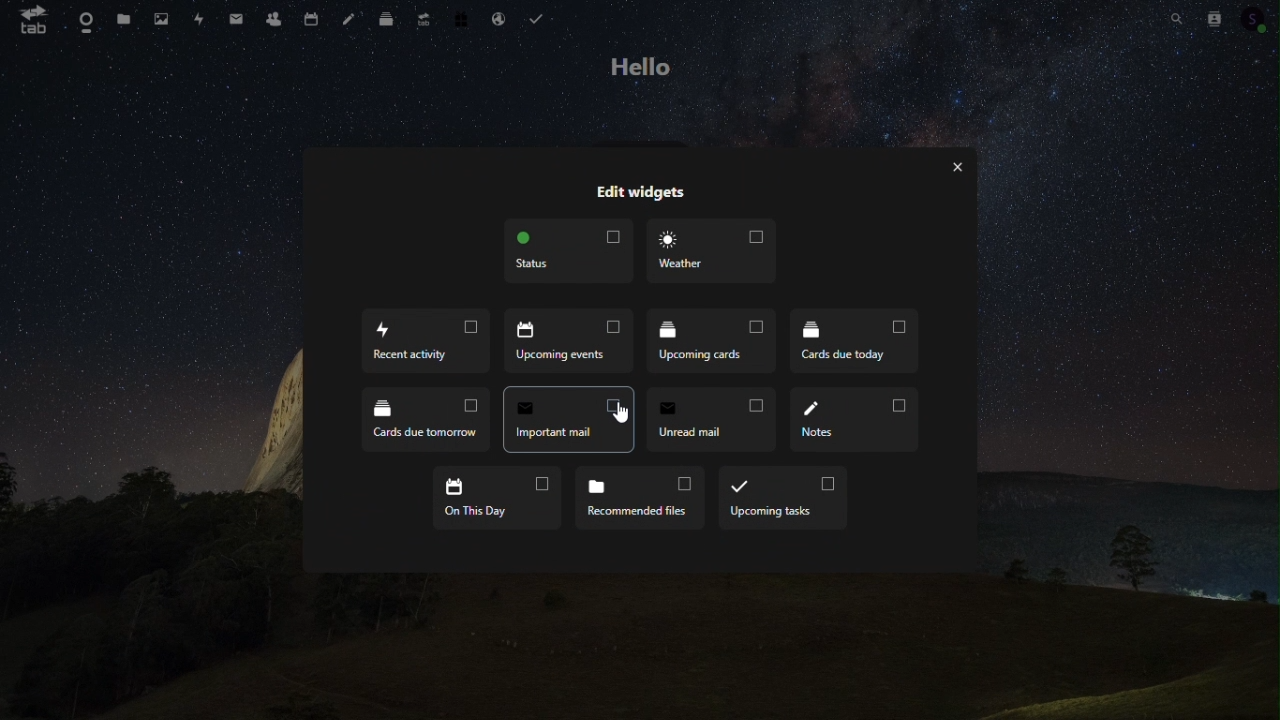 The height and width of the screenshot is (720, 1280). What do you see at coordinates (82, 19) in the screenshot?
I see `Dashboard` at bounding box center [82, 19].